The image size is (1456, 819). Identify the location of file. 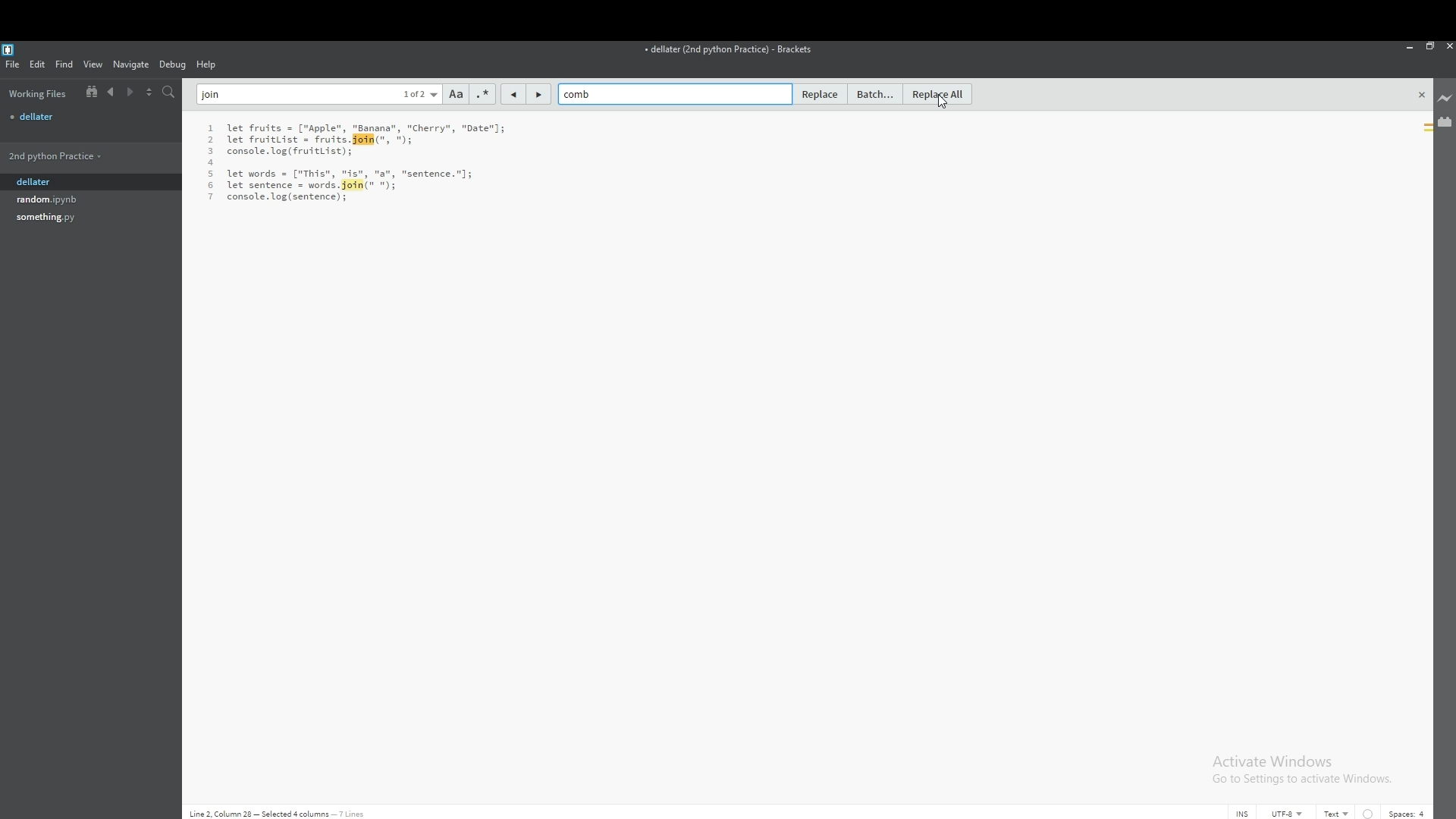
(71, 218).